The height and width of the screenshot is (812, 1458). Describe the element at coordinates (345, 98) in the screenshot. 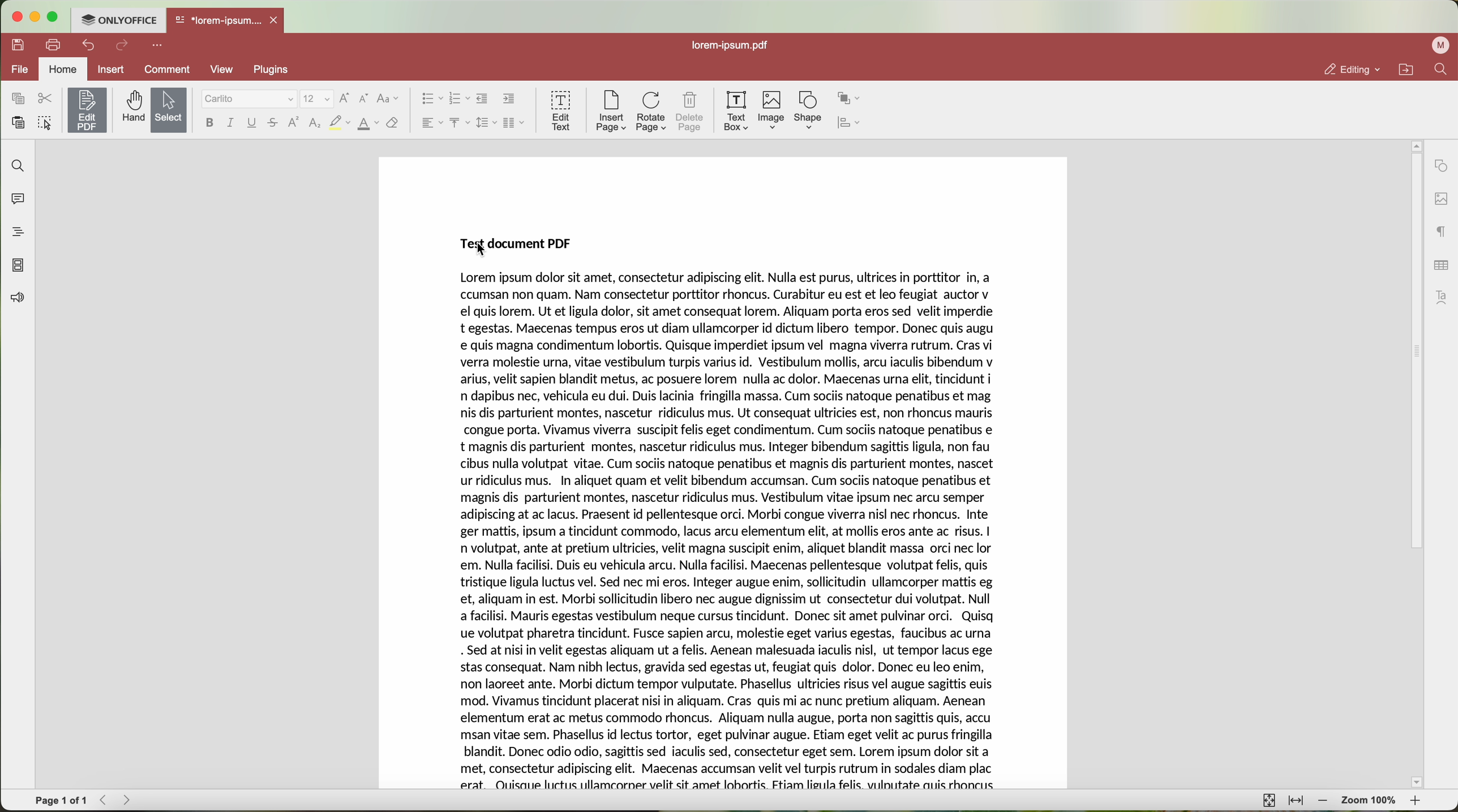

I see `increment font size` at that location.